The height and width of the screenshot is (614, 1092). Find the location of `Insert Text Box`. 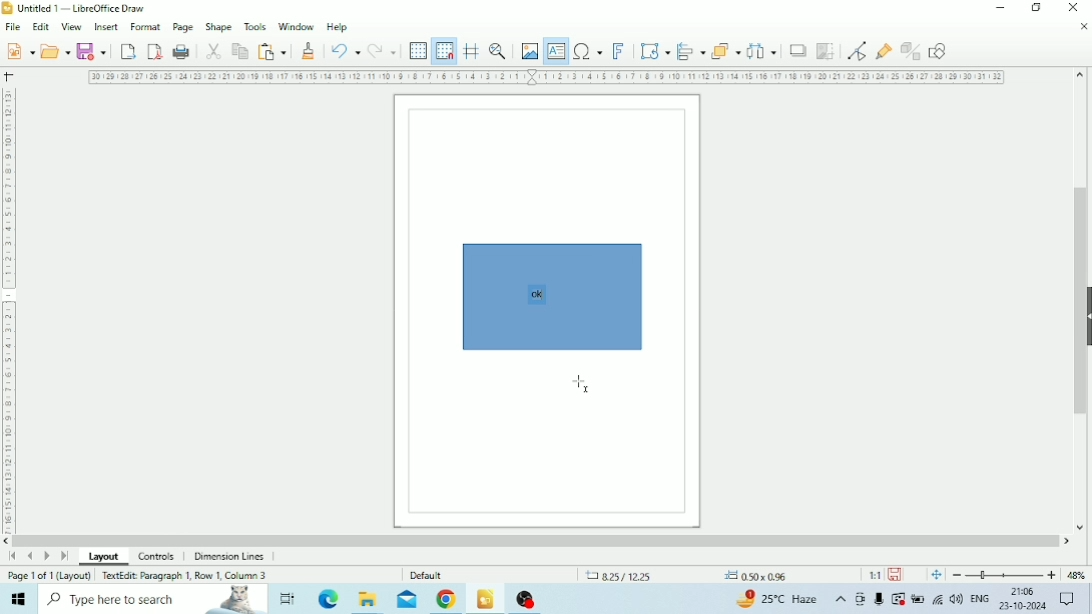

Insert Text Box is located at coordinates (554, 51).